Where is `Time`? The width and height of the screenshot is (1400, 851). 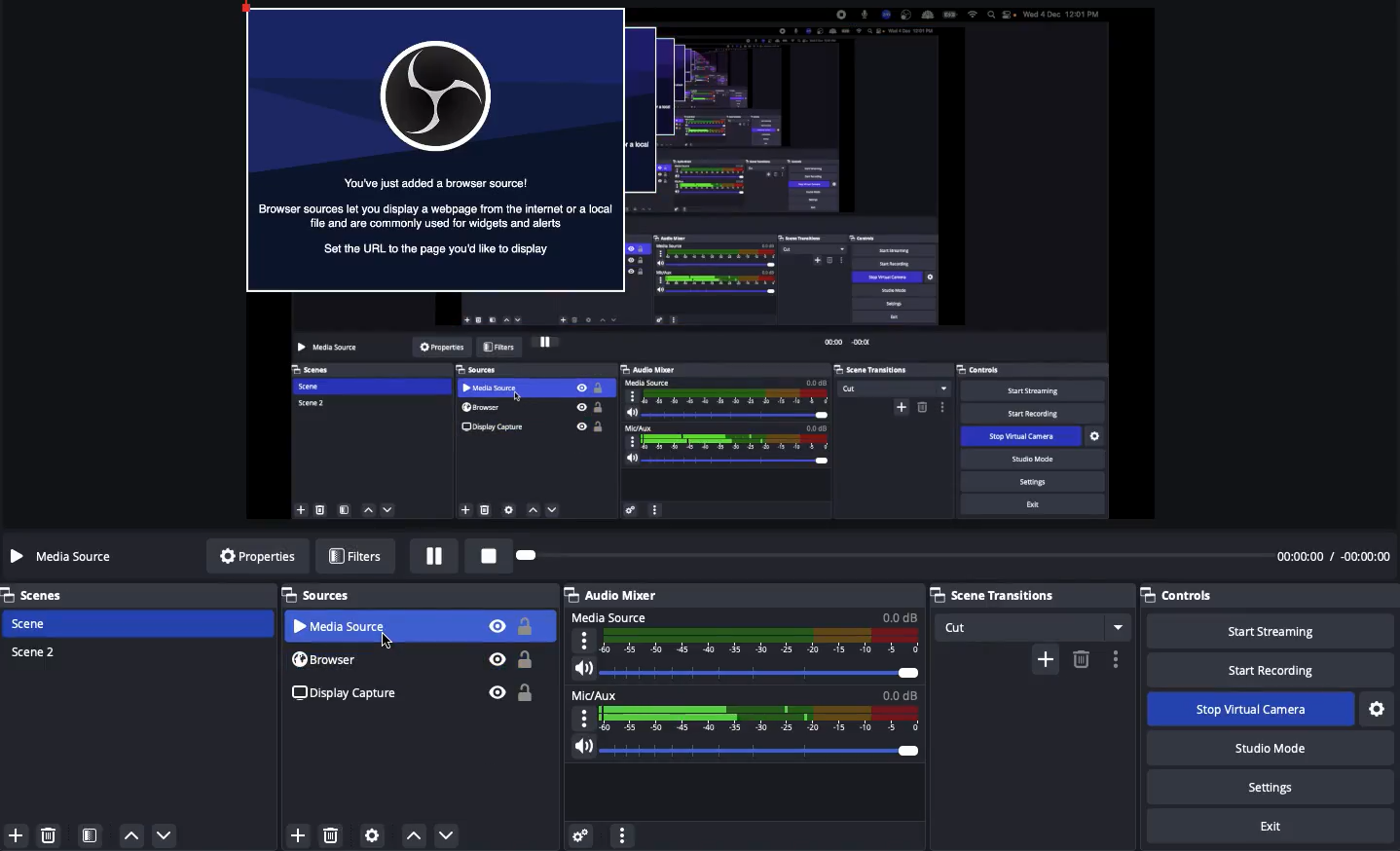
Time is located at coordinates (1332, 556).